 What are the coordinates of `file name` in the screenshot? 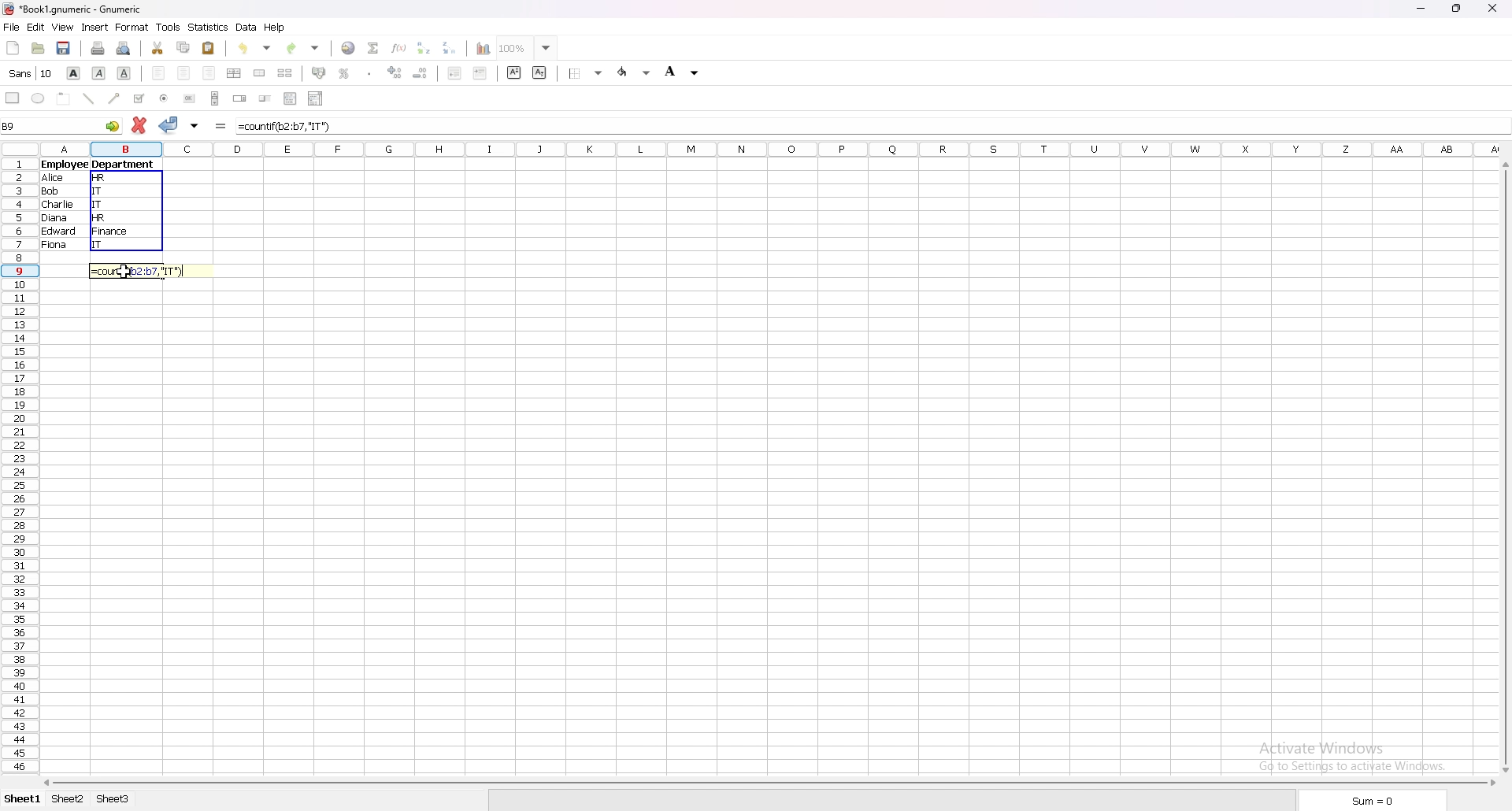 It's located at (74, 9).